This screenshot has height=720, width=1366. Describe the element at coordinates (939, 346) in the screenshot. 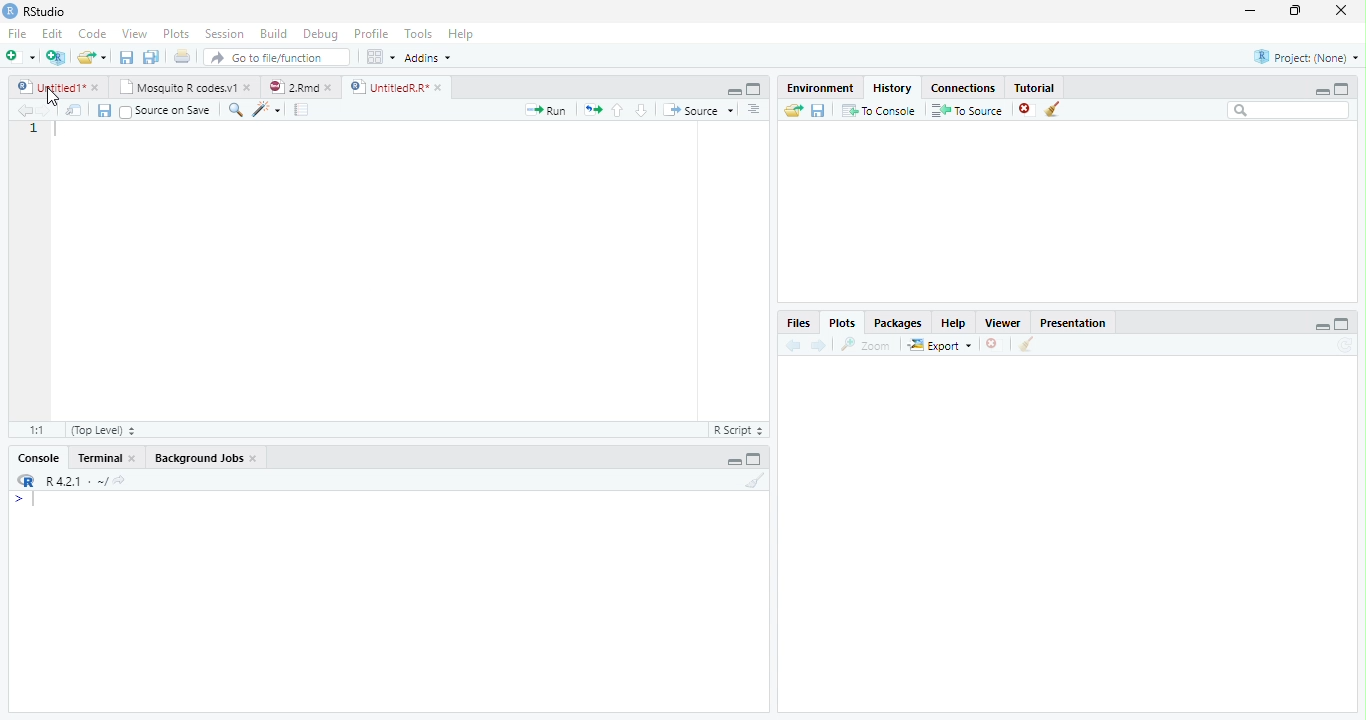

I see `export` at that location.